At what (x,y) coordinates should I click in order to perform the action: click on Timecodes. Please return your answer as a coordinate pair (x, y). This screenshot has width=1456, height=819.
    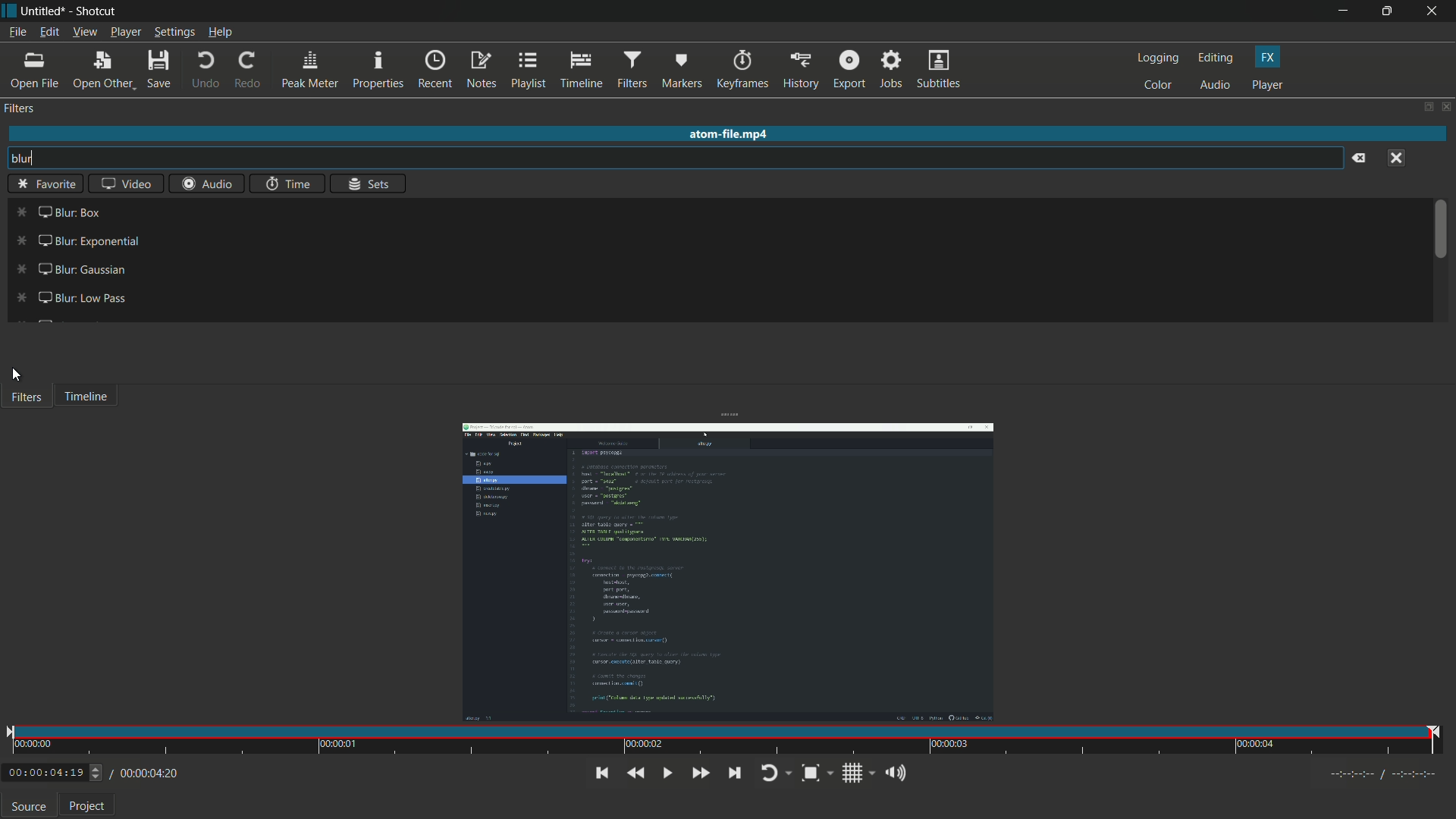
    Looking at the image, I should click on (1376, 777).